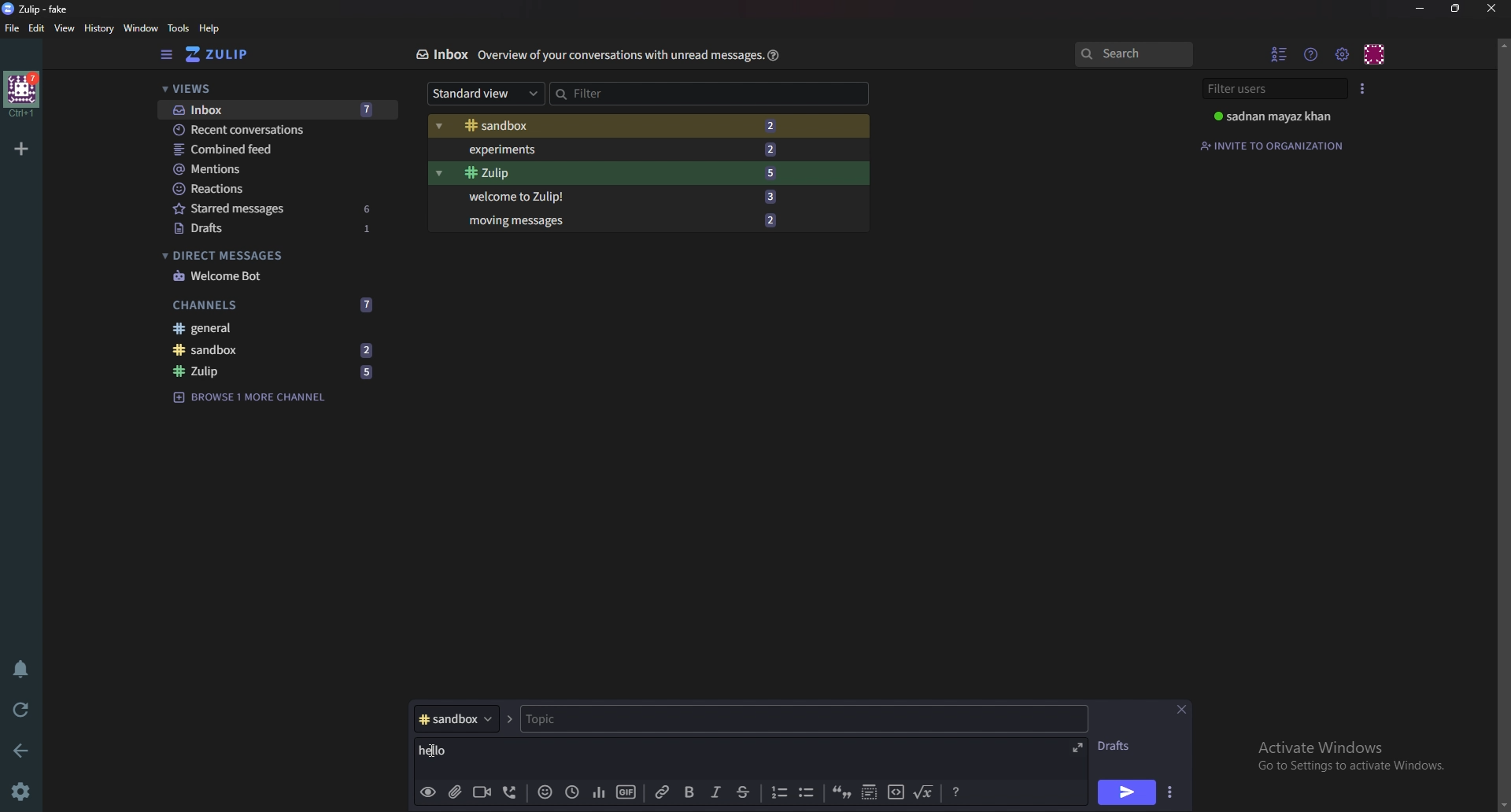  Describe the element at coordinates (22, 669) in the screenshot. I see `Enable do not disturb` at that location.